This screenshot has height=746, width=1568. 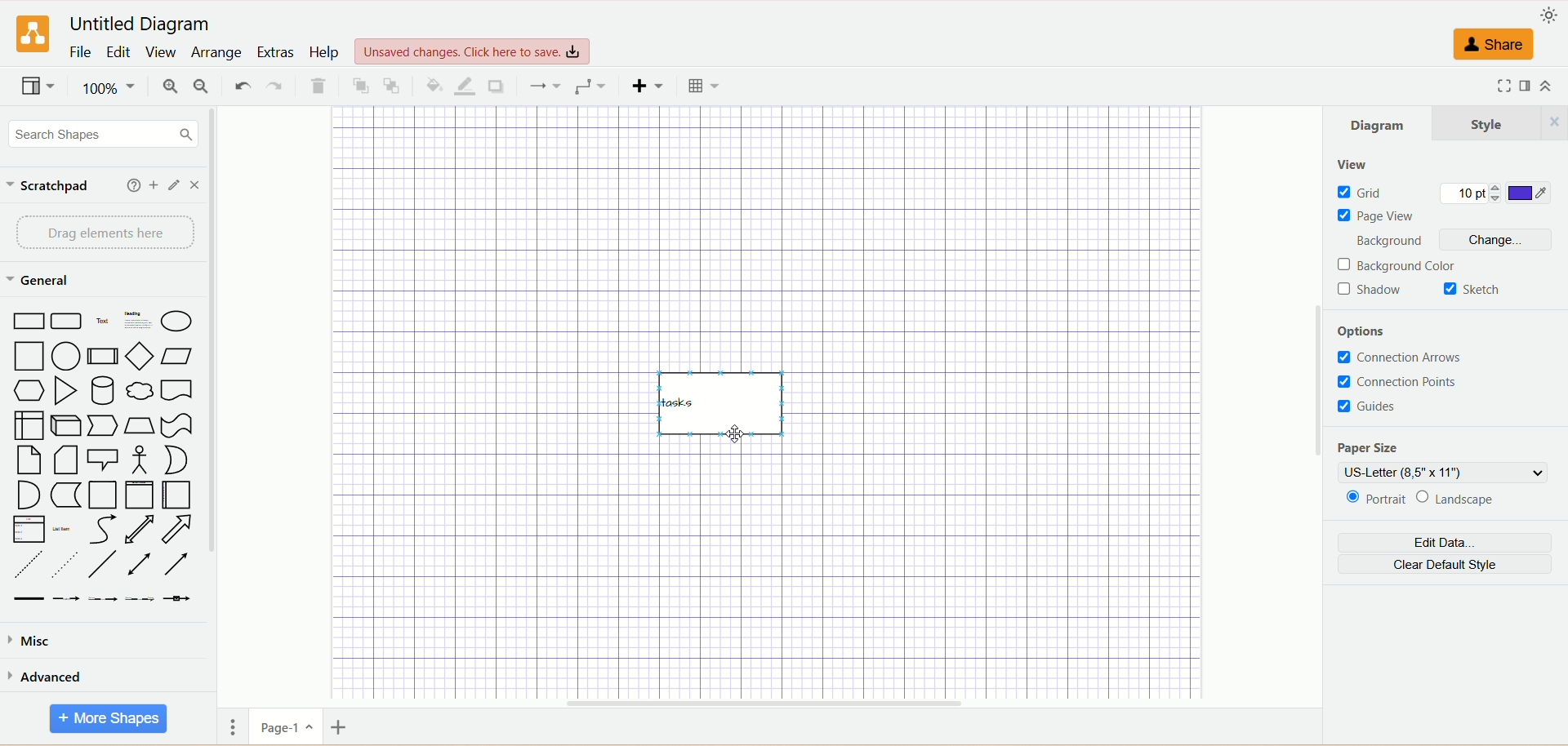 I want to click on redo, so click(x=276, y=85).